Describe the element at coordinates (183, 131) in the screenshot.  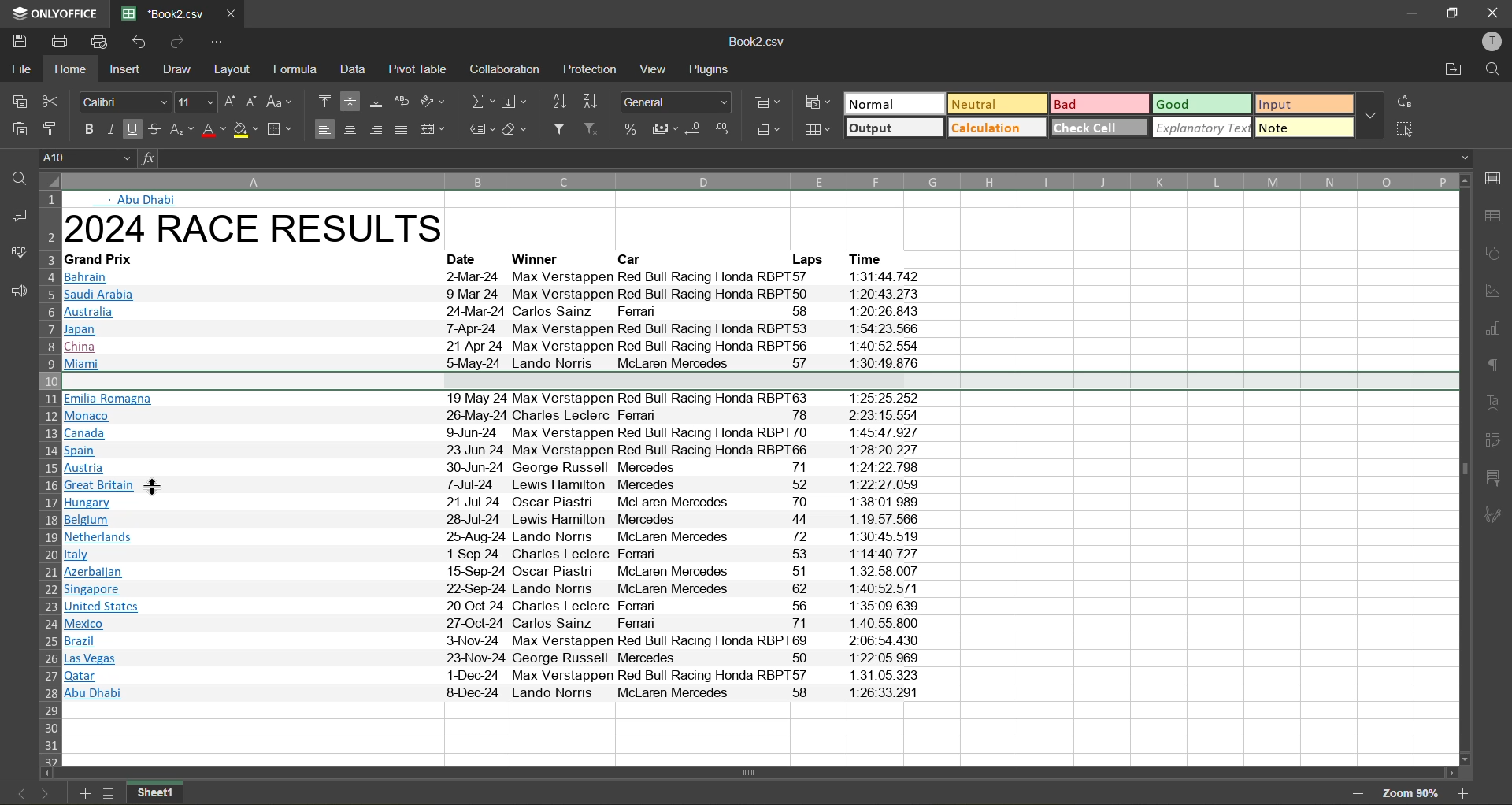
I see `sub/superscript` at that location.